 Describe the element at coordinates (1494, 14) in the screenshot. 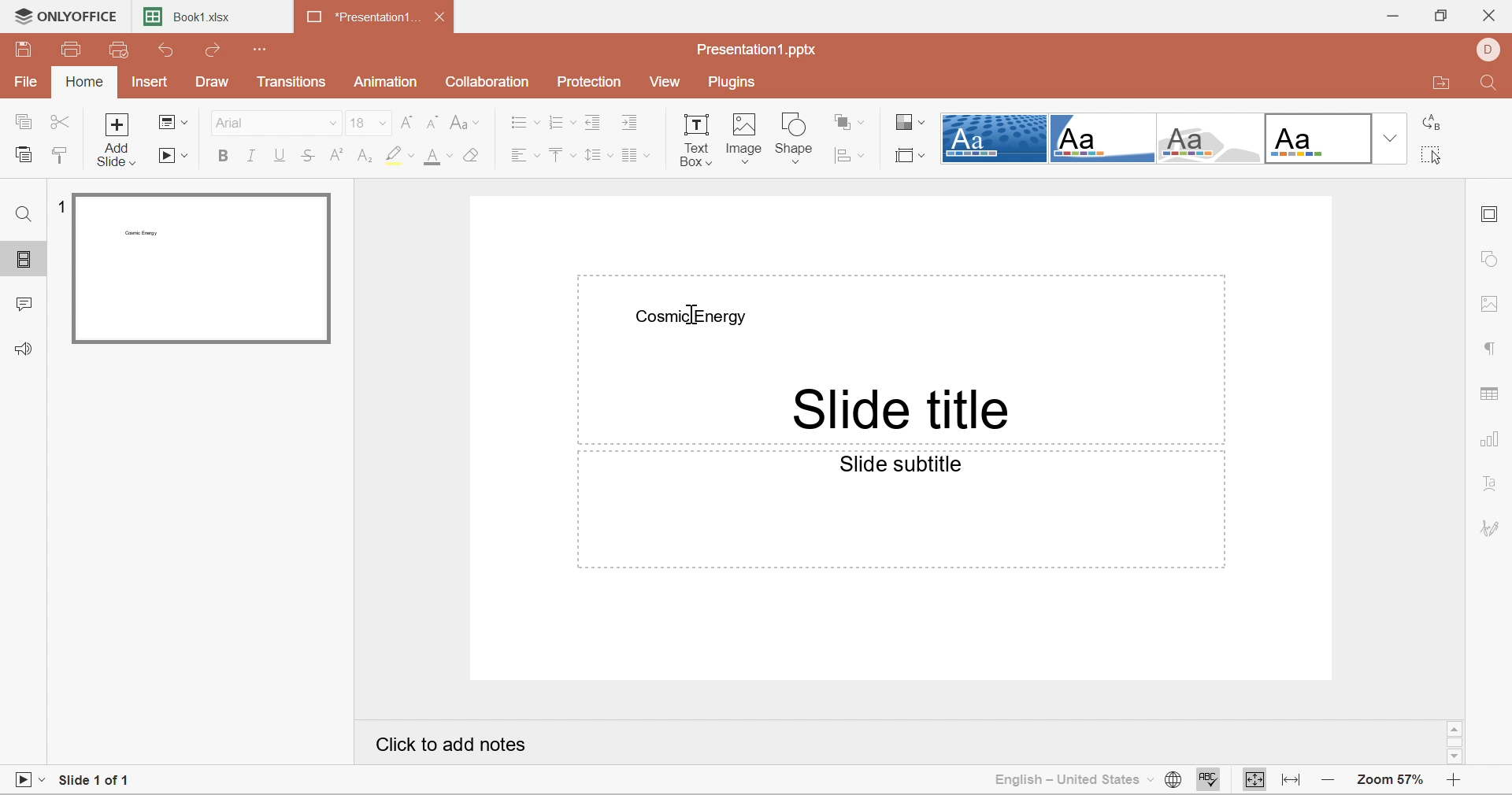

I see `Close` at that location.